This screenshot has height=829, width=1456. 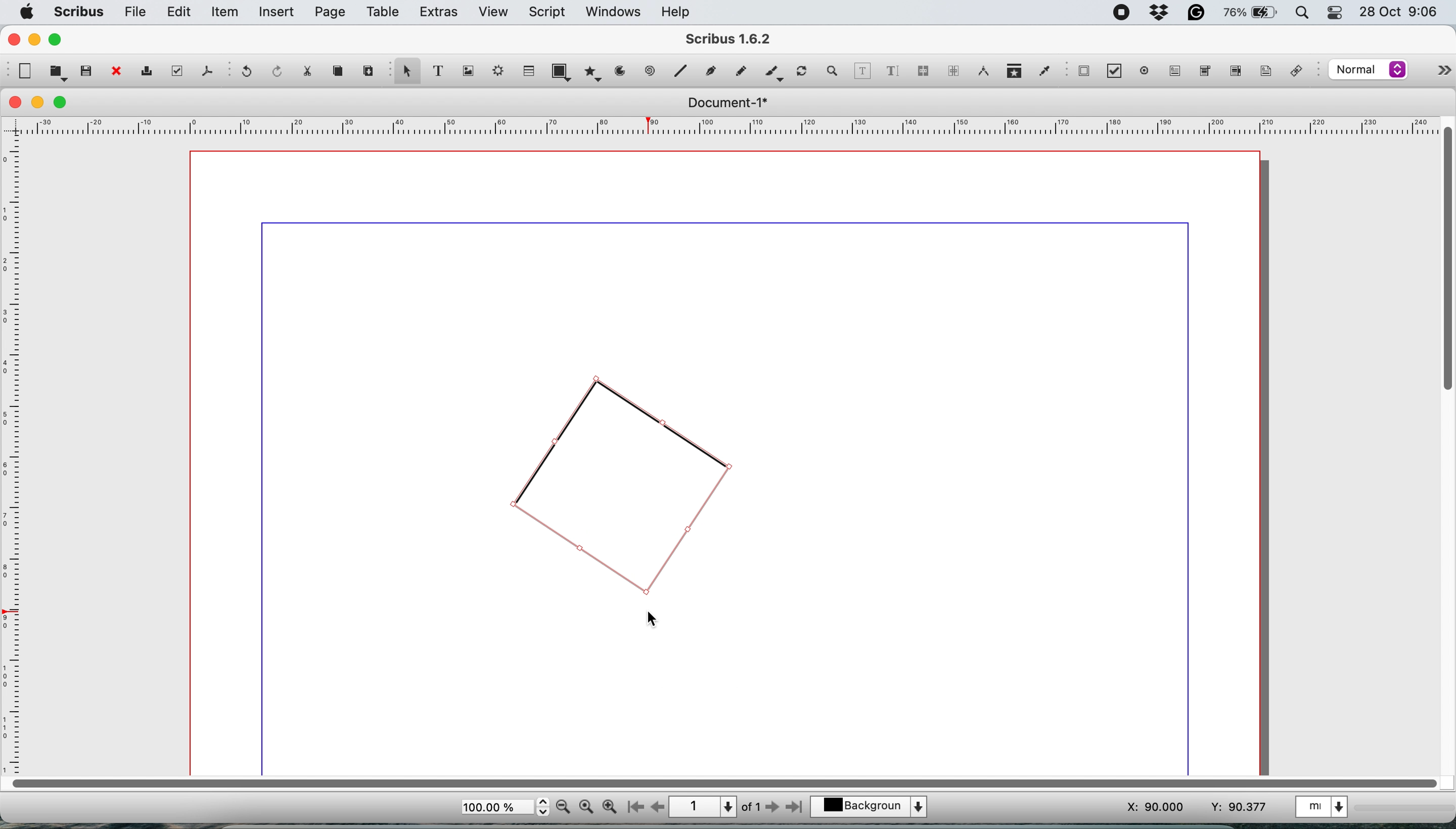 I want to click on table, so click(x=530, y=72).